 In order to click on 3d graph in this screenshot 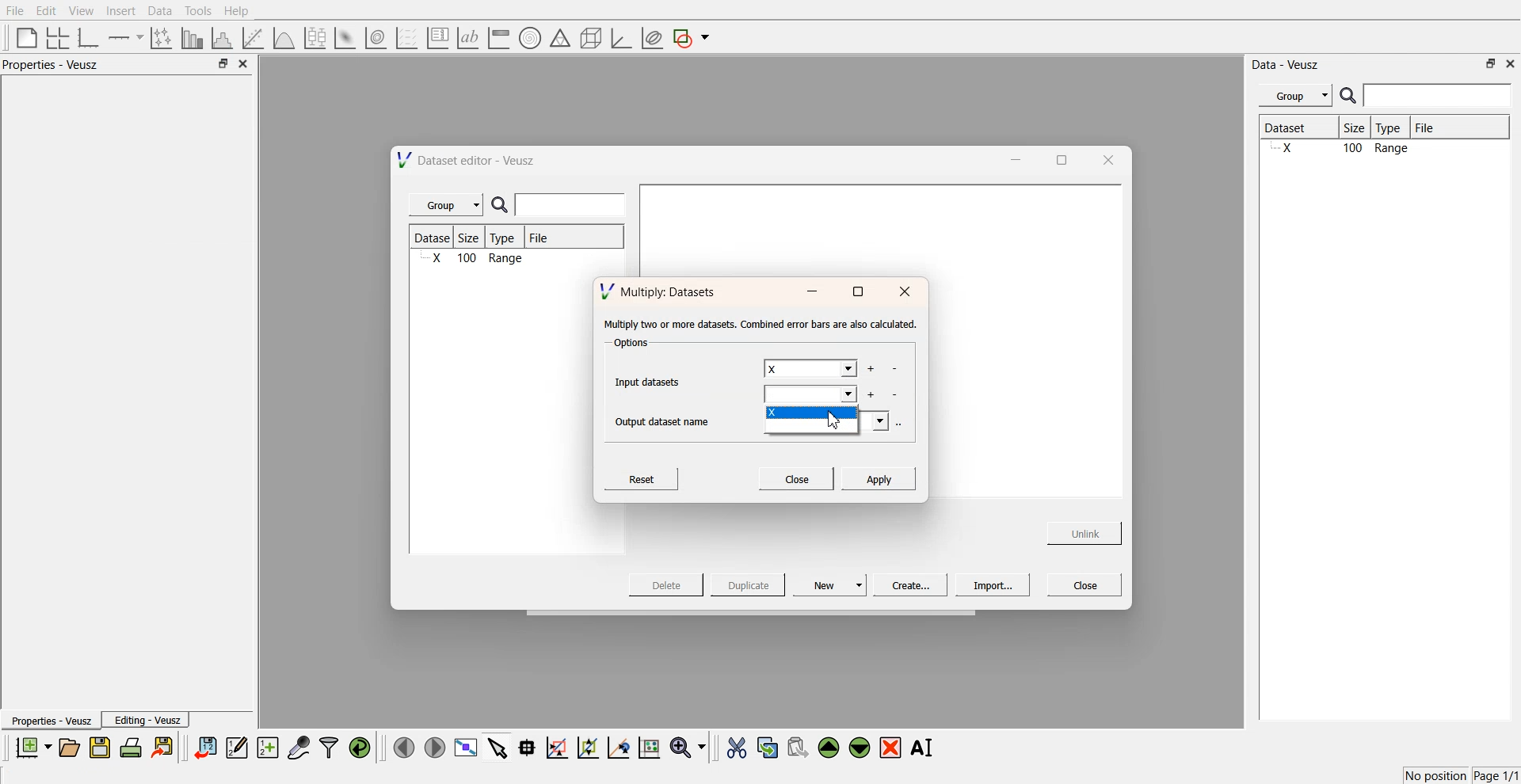, I will do `click(620, 39)`.